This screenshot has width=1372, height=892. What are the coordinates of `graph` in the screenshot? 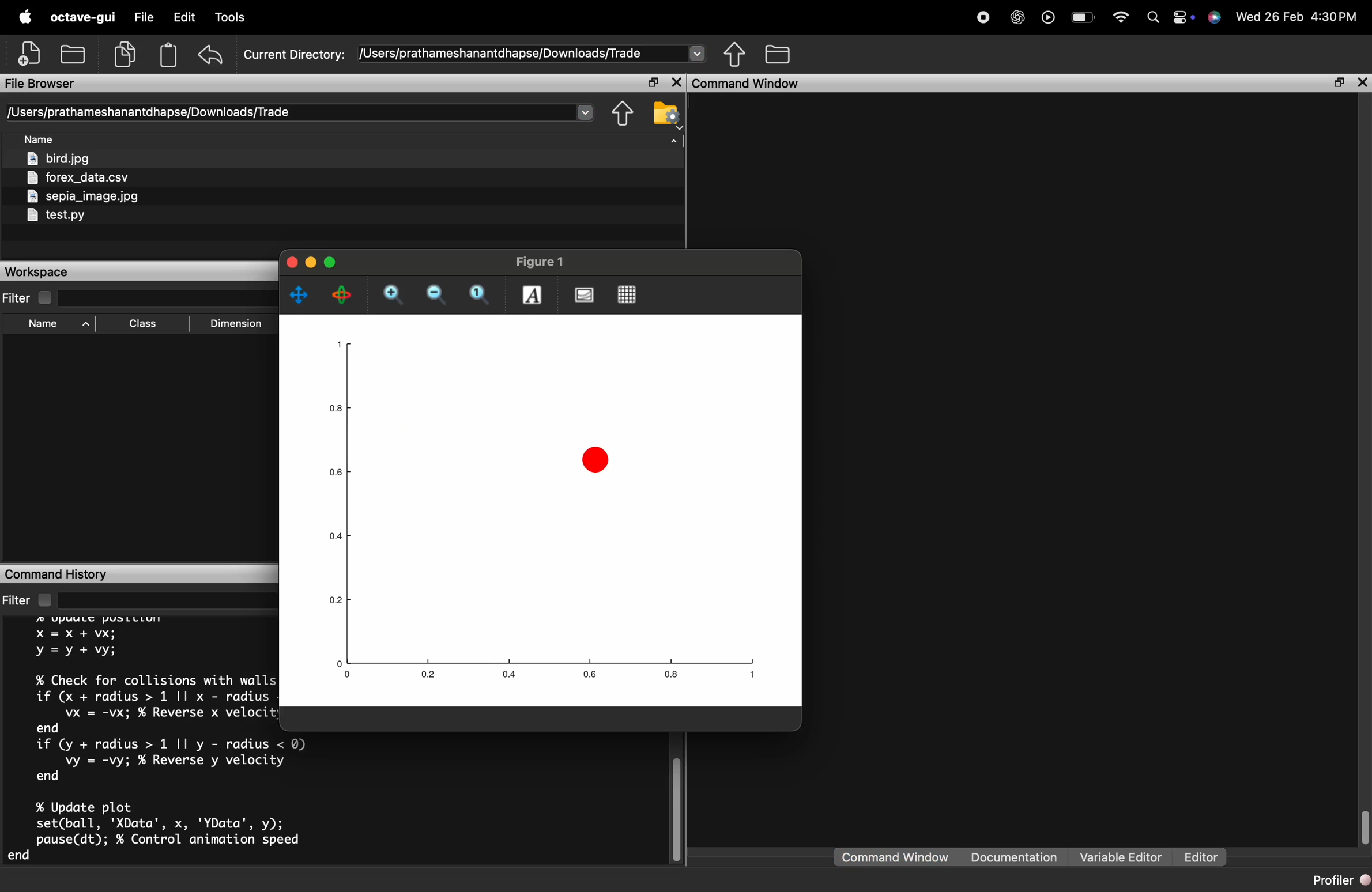 It's located at (541, 513).